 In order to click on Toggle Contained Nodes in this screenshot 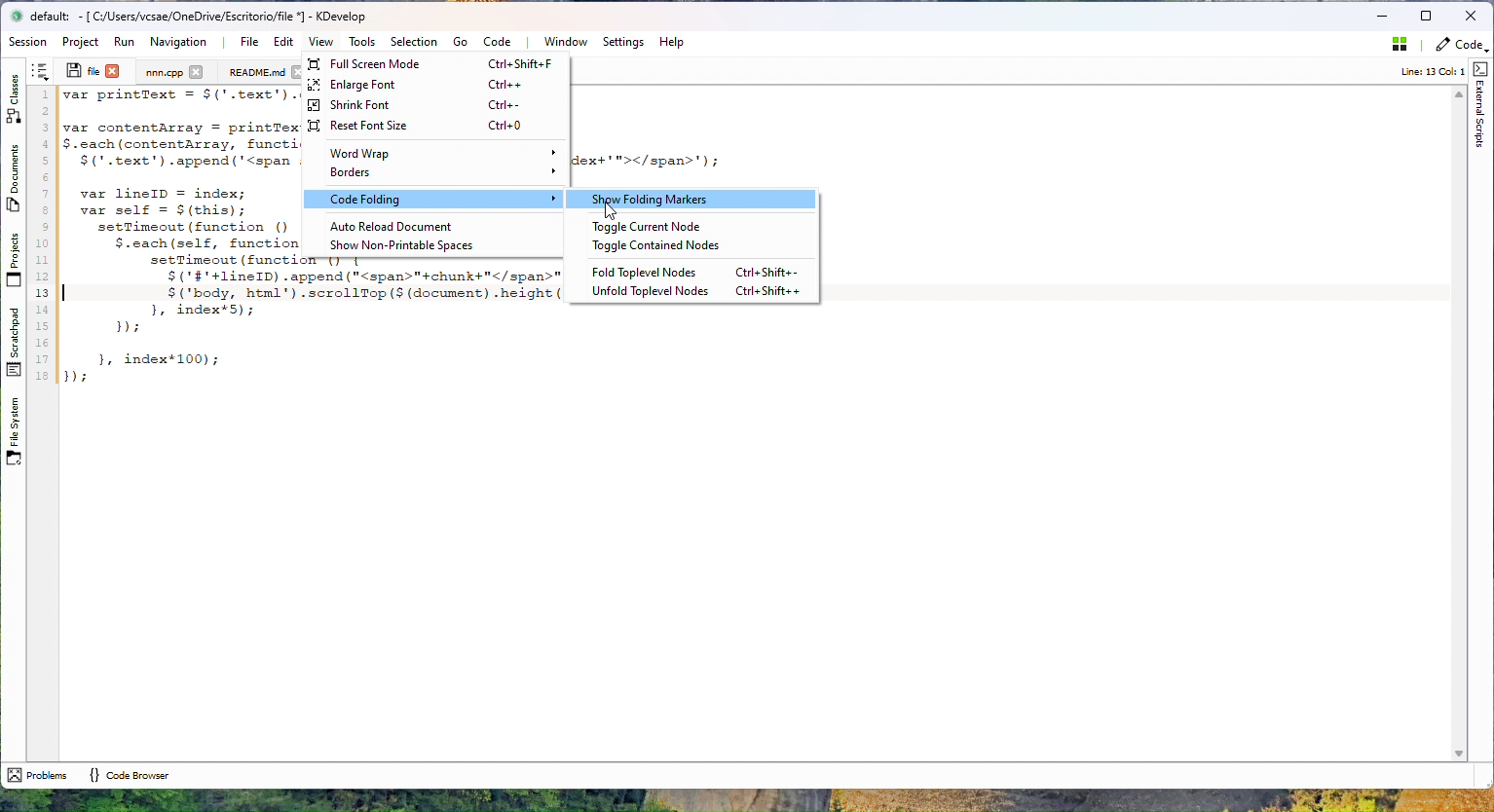, I will do `click(669, 246)`.